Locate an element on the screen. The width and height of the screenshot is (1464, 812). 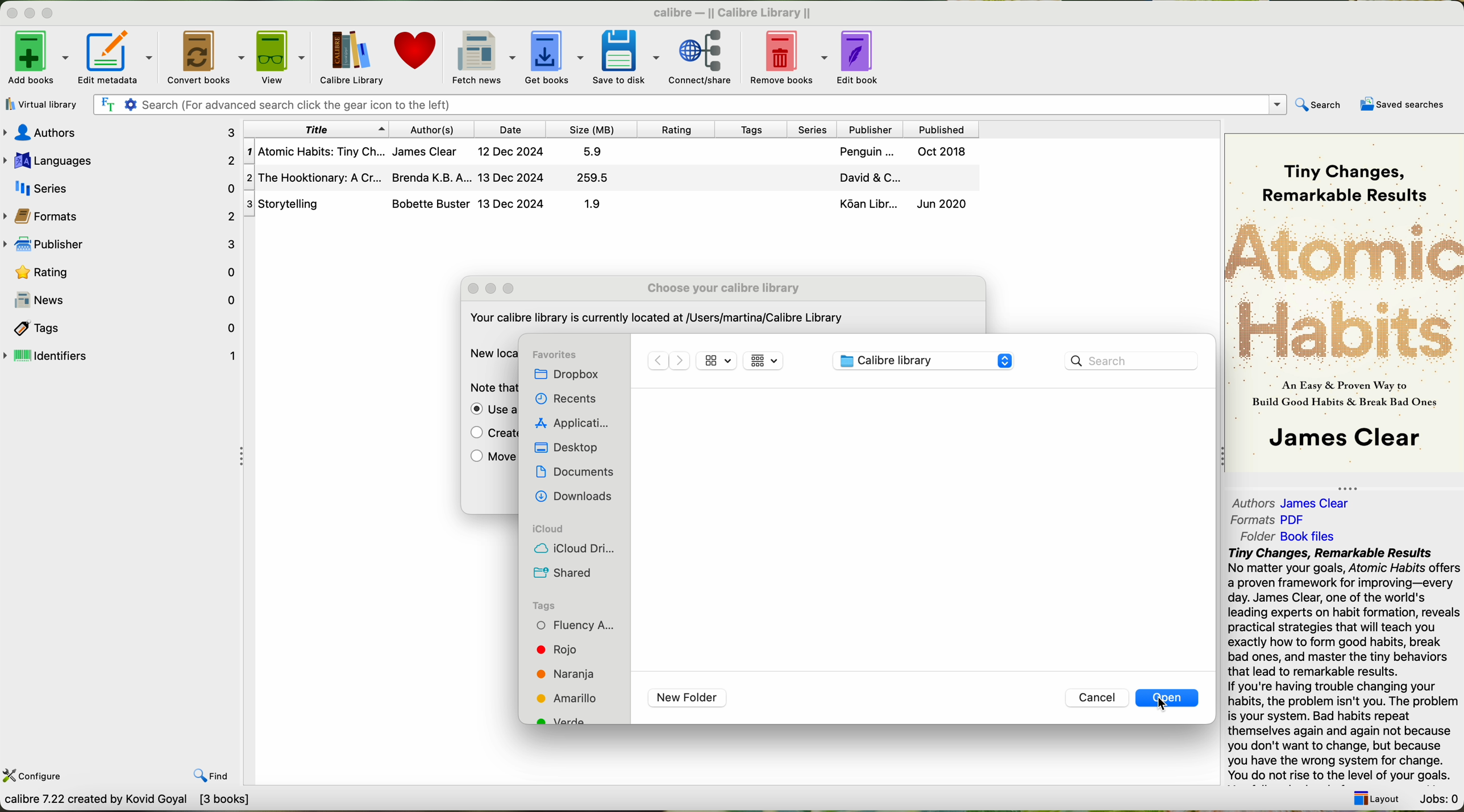
view is located at coordinates (284, 57).